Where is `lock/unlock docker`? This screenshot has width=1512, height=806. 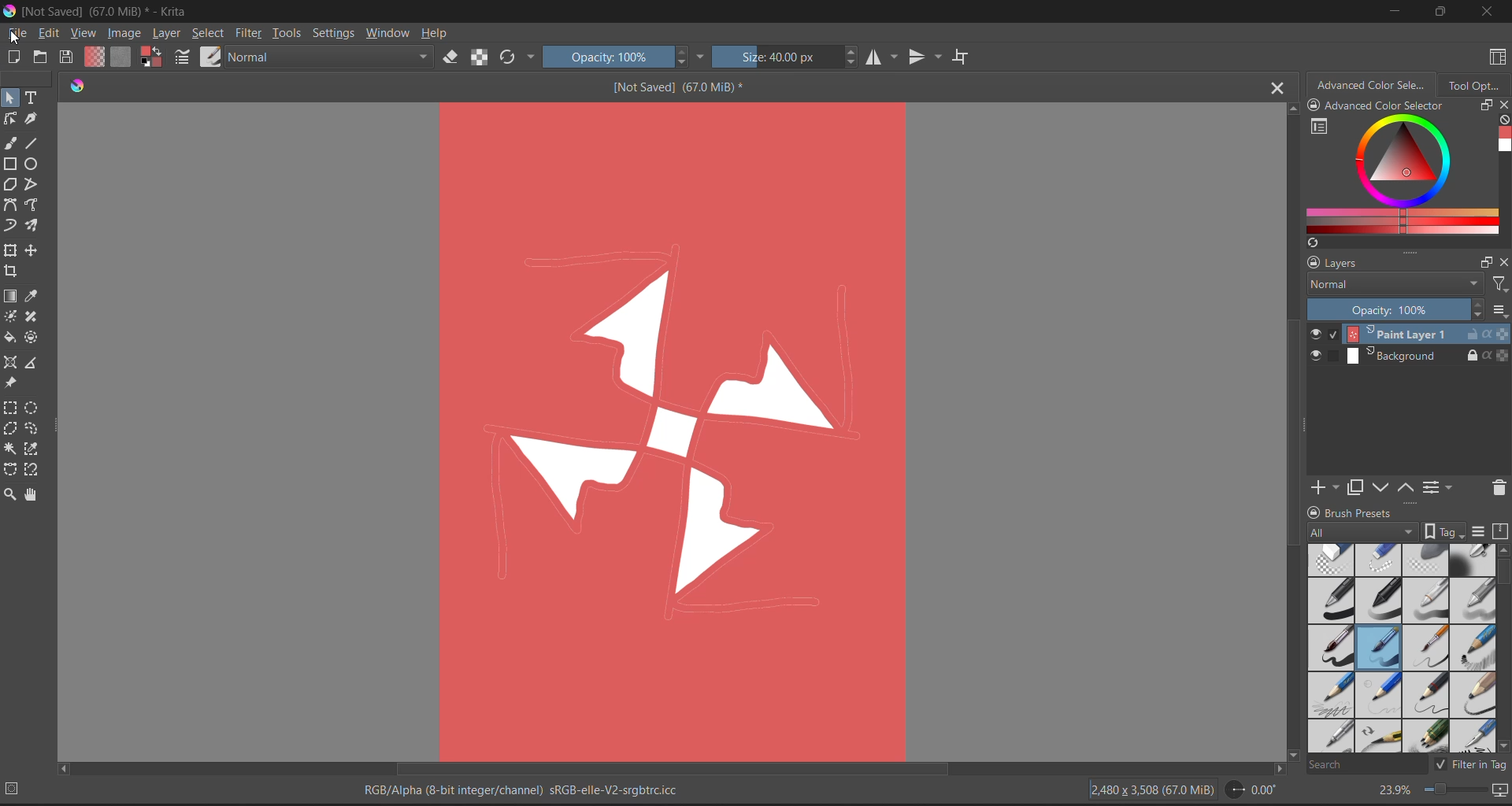
lock/unlock docker is located at coordinates (1314, 511).